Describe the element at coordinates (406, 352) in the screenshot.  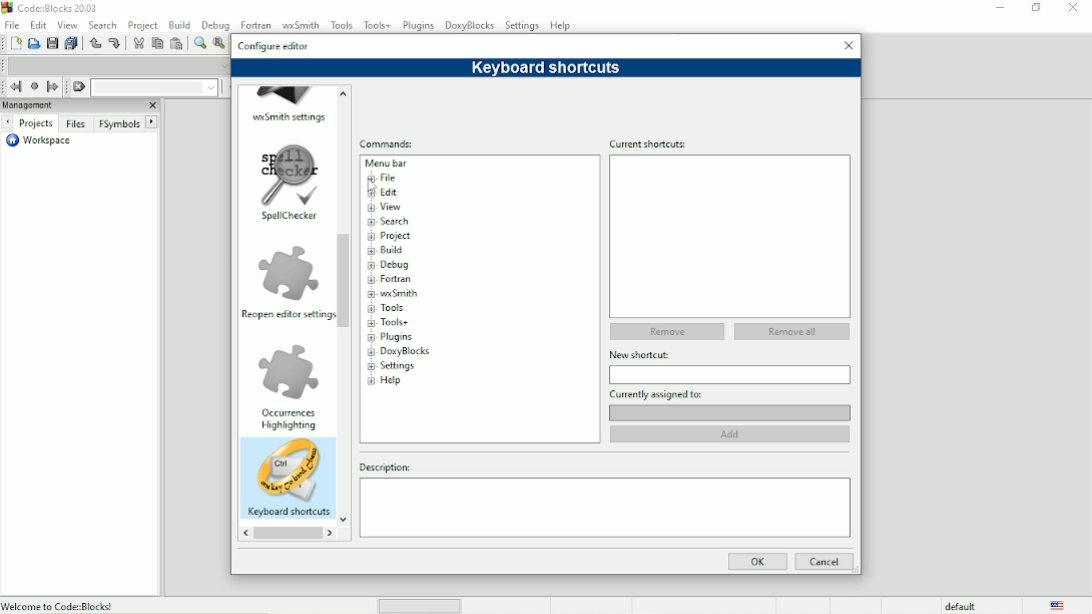
I see `DoxyBlocks` at that location.